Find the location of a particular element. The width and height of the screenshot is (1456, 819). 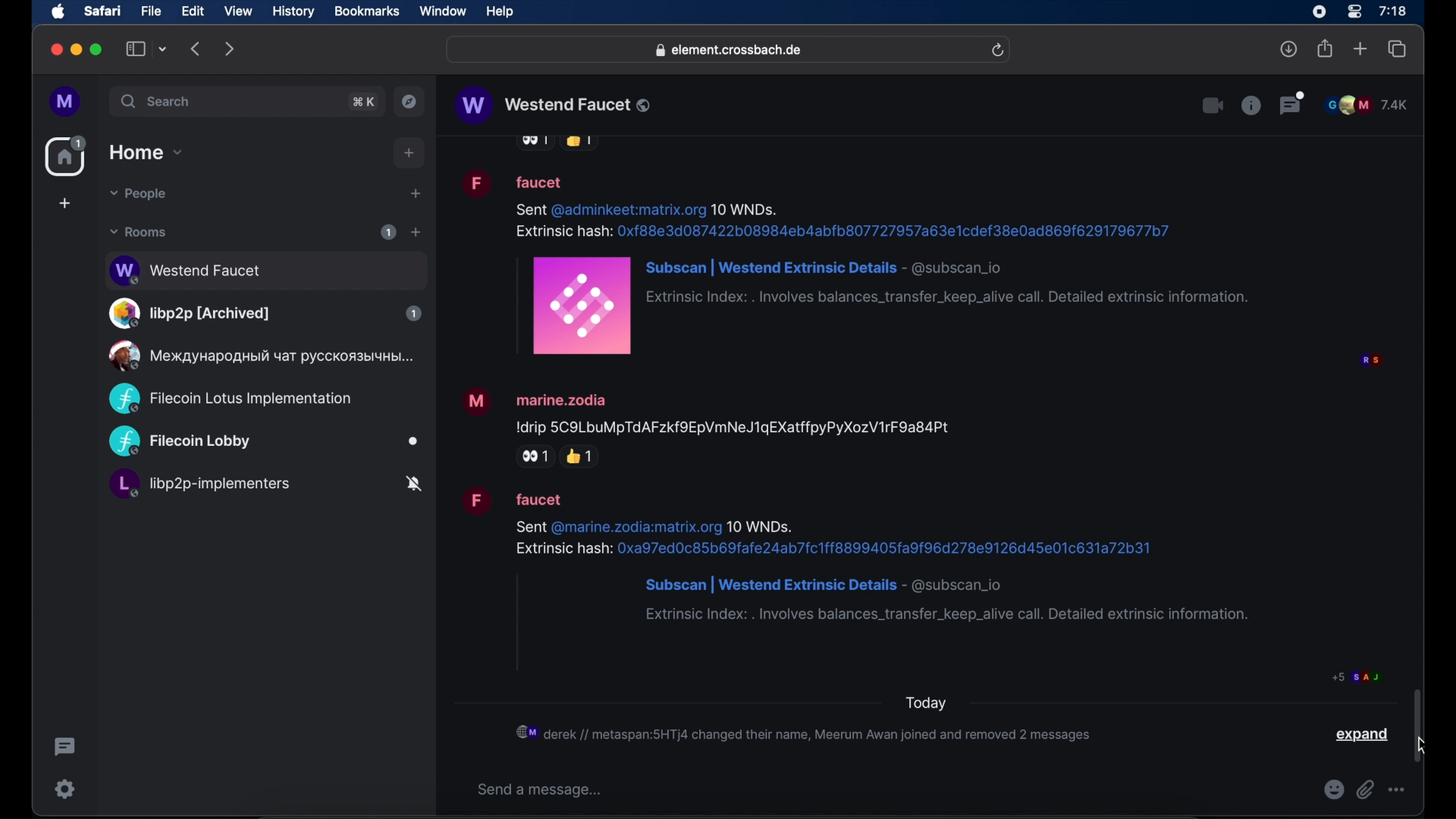

public room is located at coordinates (264, 442).